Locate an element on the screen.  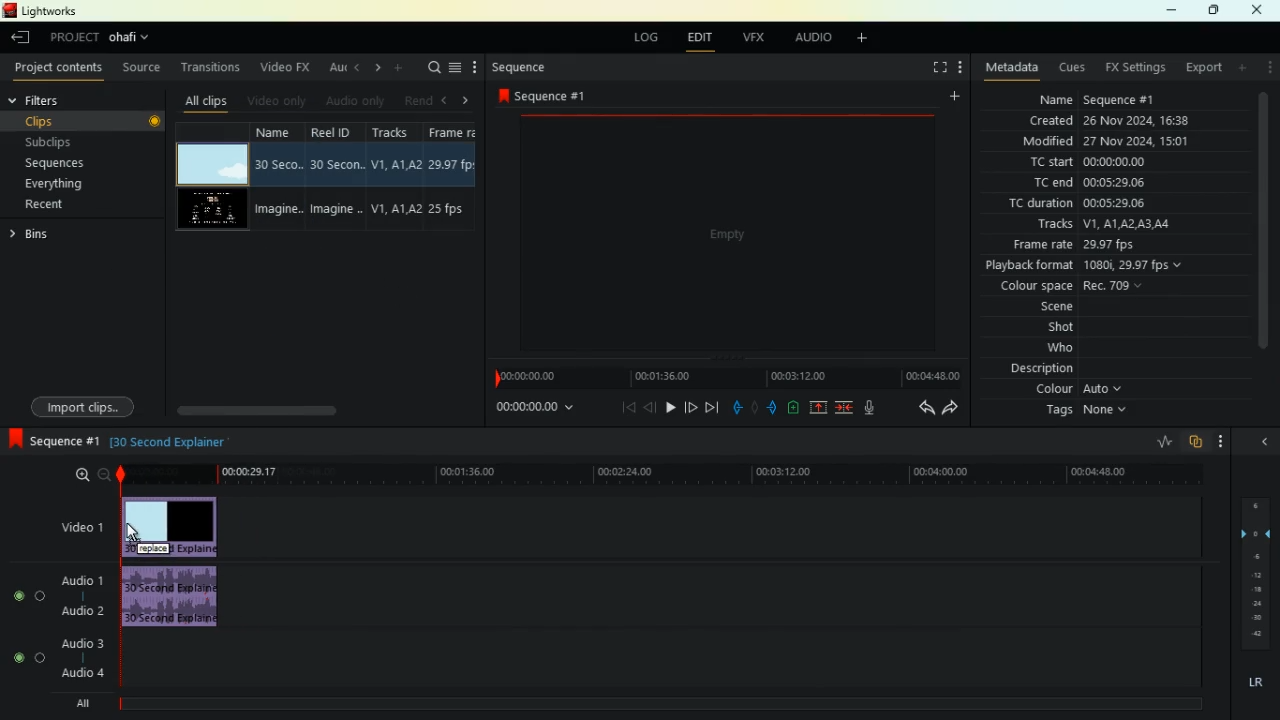
colour space Rec 709 is located at coordinates (1105, 286).